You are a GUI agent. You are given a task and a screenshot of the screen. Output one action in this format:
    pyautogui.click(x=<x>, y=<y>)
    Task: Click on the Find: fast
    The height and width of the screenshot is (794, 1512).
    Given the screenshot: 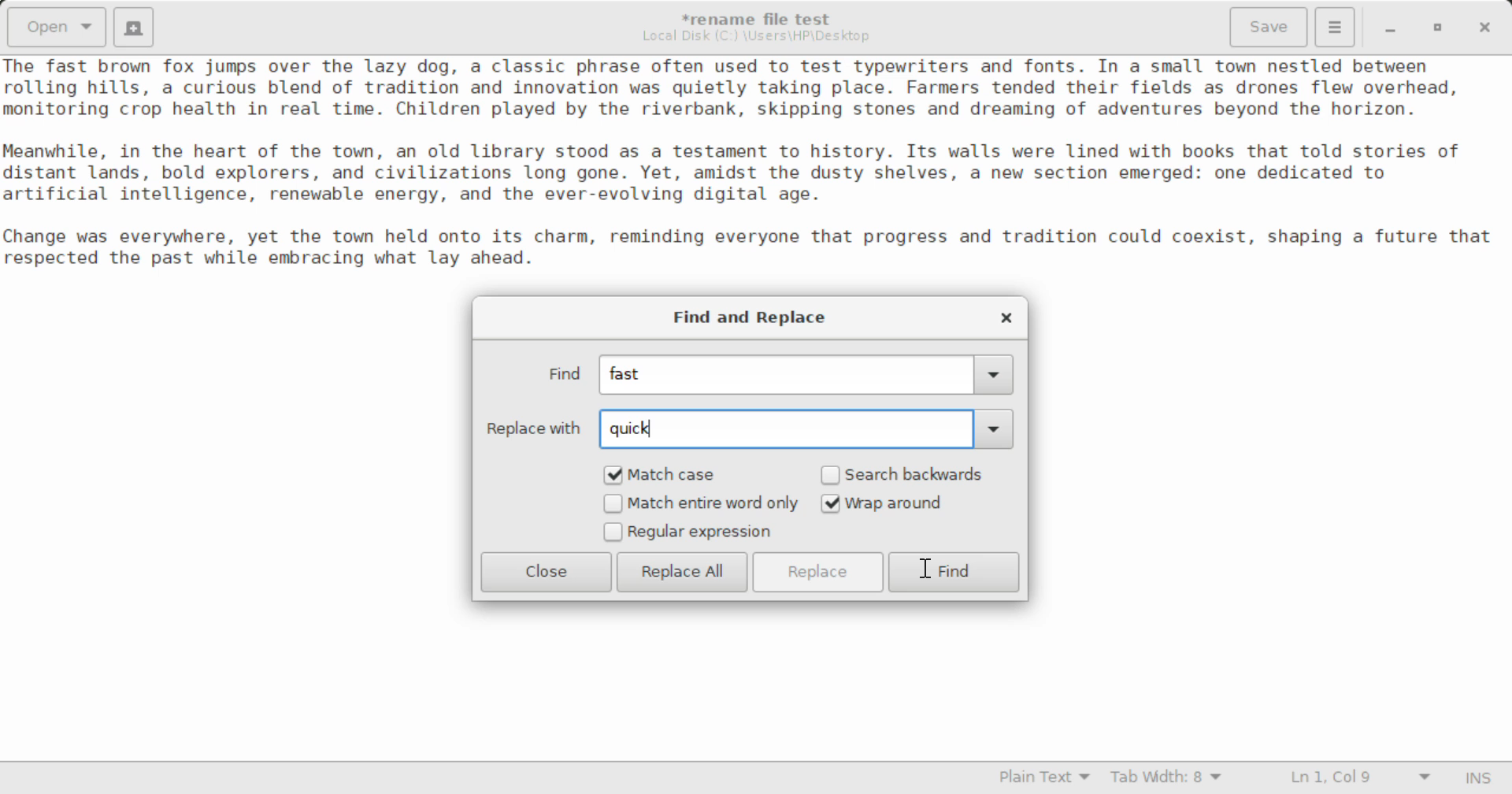 What is the action you would take?
    pyautogui.click(x=772, y=376)
    